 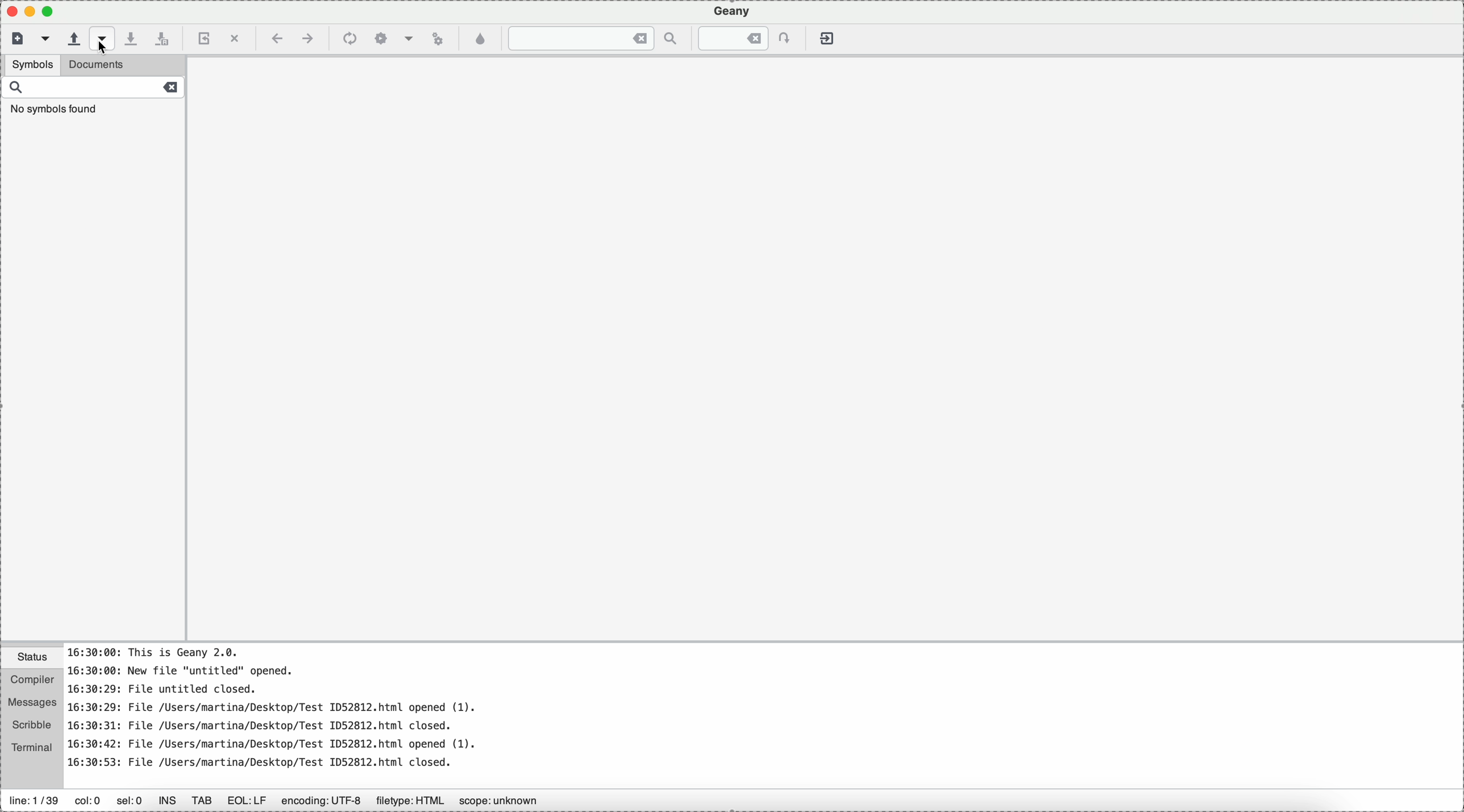 I want to click on reload the current file from disk, so click(x=204, y=37).